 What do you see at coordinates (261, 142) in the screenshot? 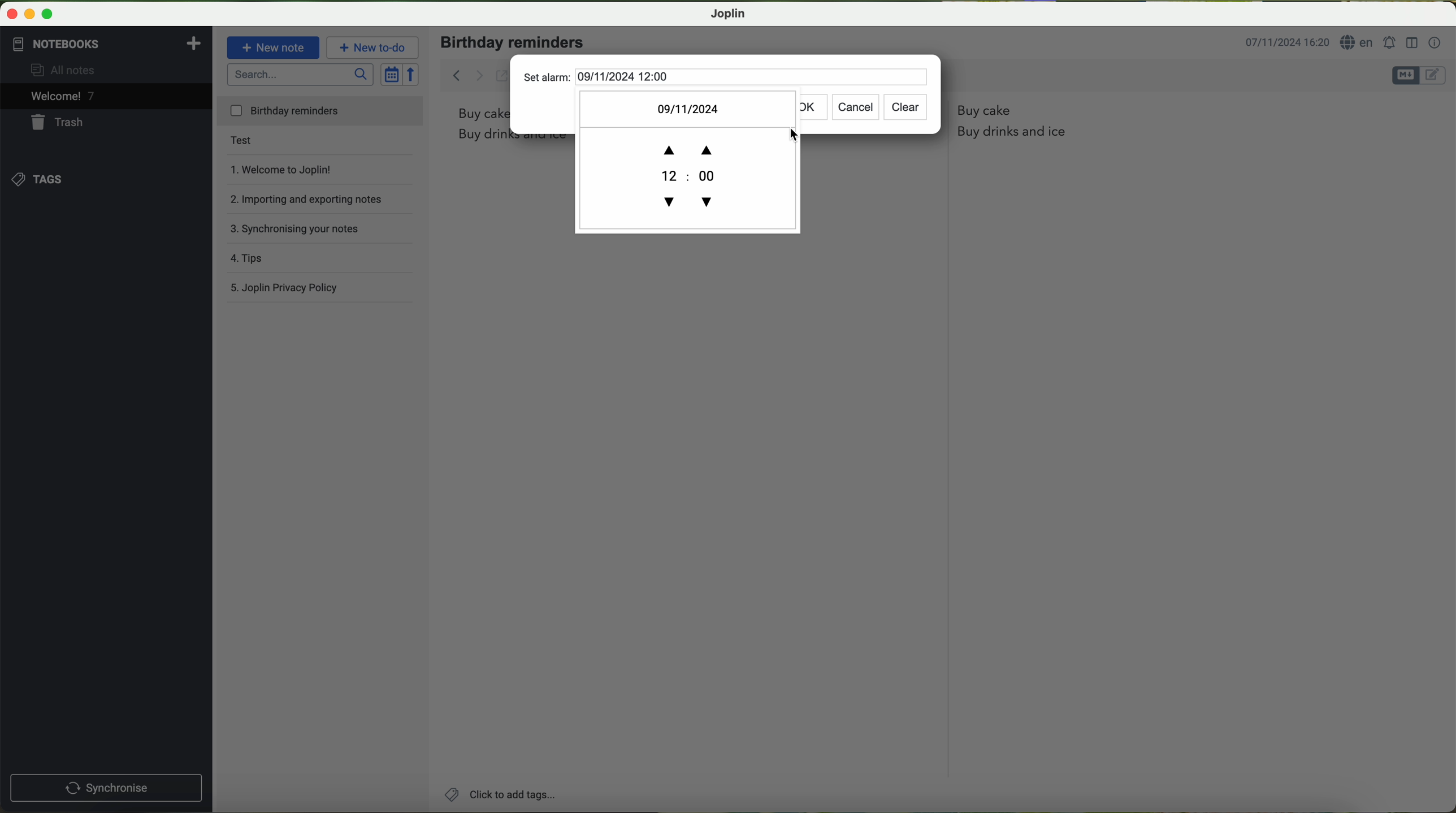
I see `test` at bounding box center [261, 142].